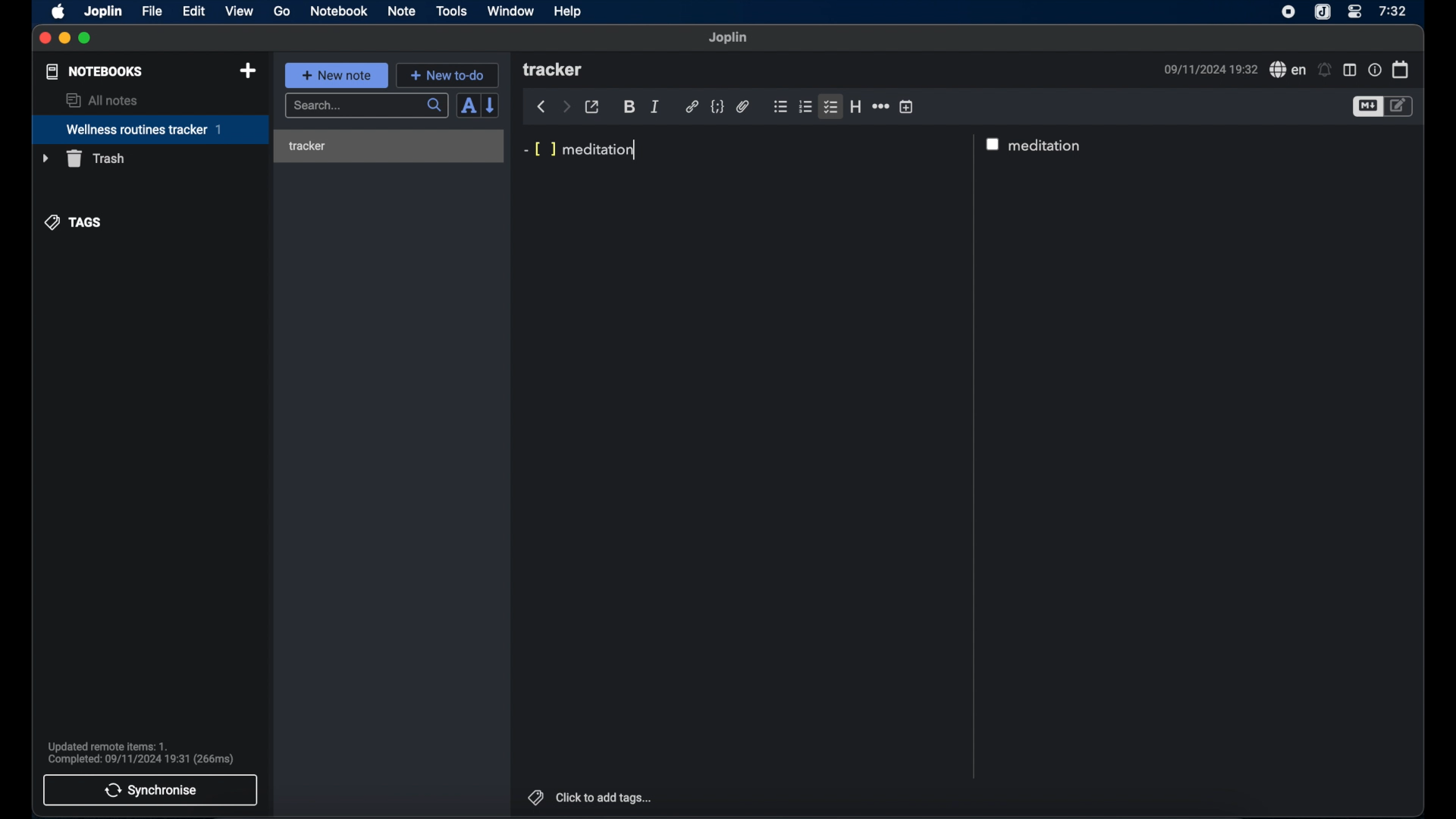  What do you see at coordinates (74, 223) in the screenshot?
I see `tags` at bounding box center [74, 223].